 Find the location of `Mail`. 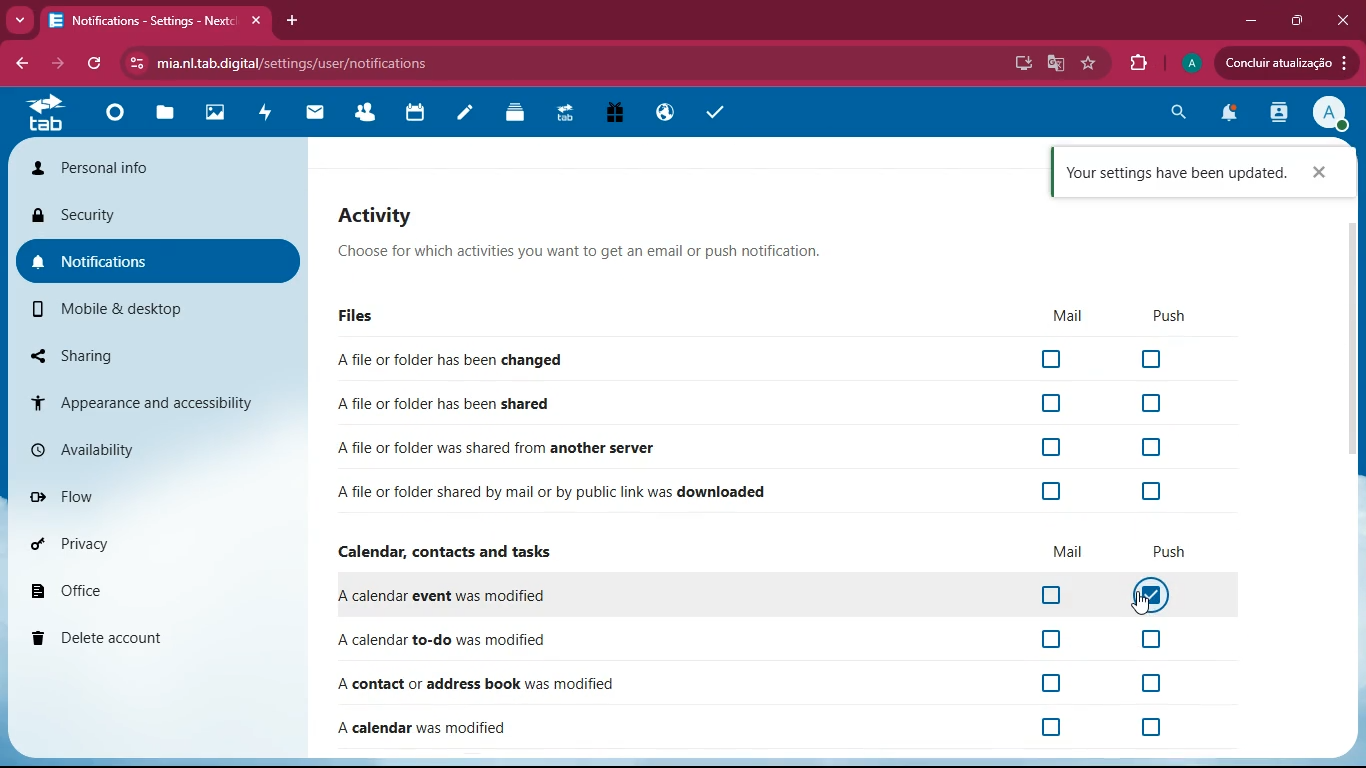

Mail is located at coordinates (1061, 315).